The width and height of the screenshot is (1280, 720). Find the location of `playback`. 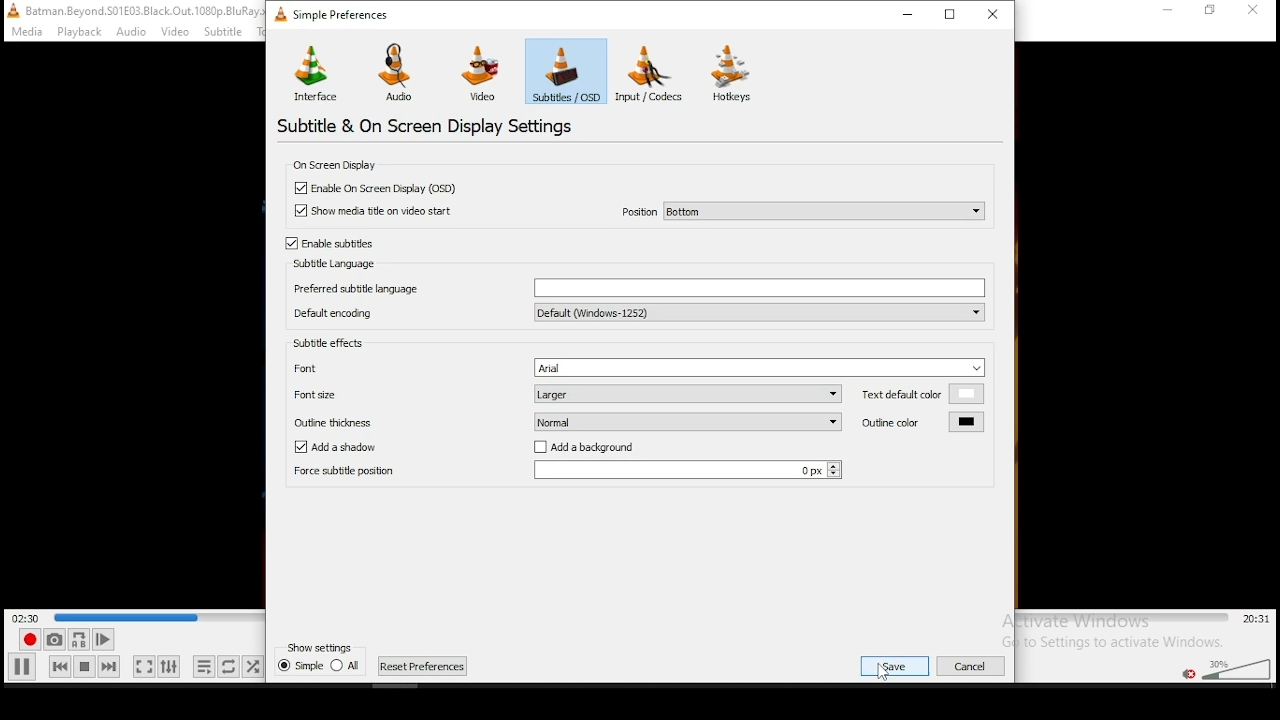

playback is located at coordinates (81, 32).